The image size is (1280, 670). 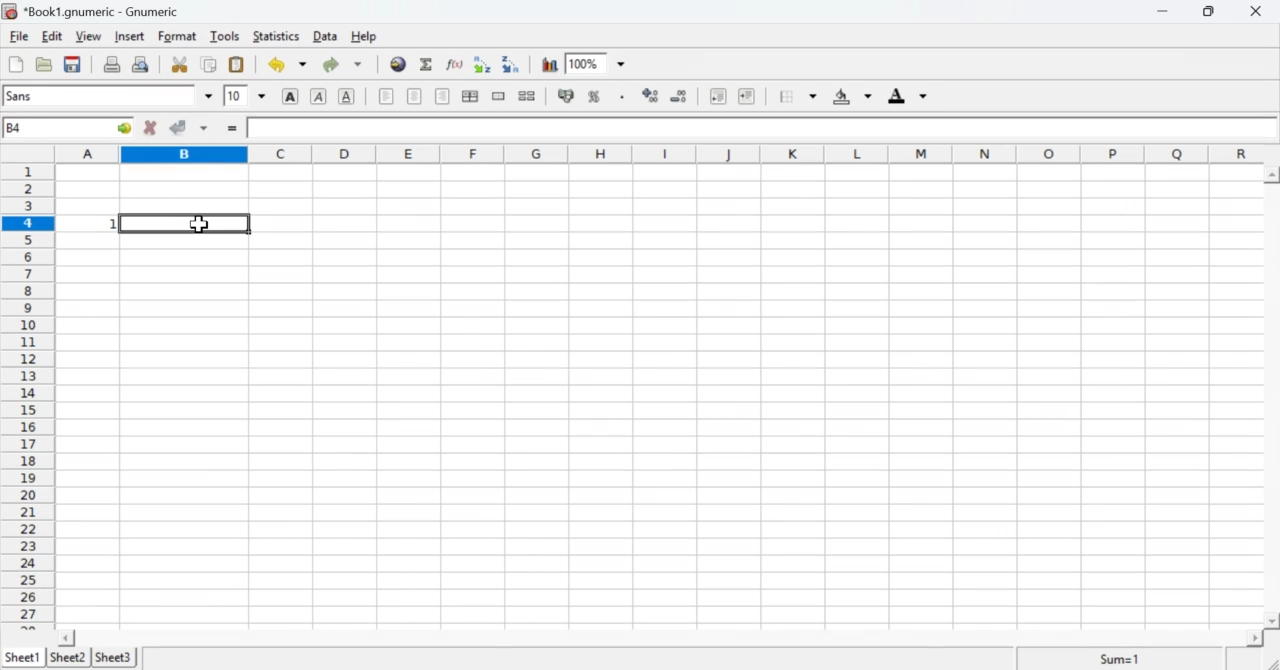 What do you see at coordinates (370, 37) in the screenshot?
I see `Help` at bounding box center [370, 37].